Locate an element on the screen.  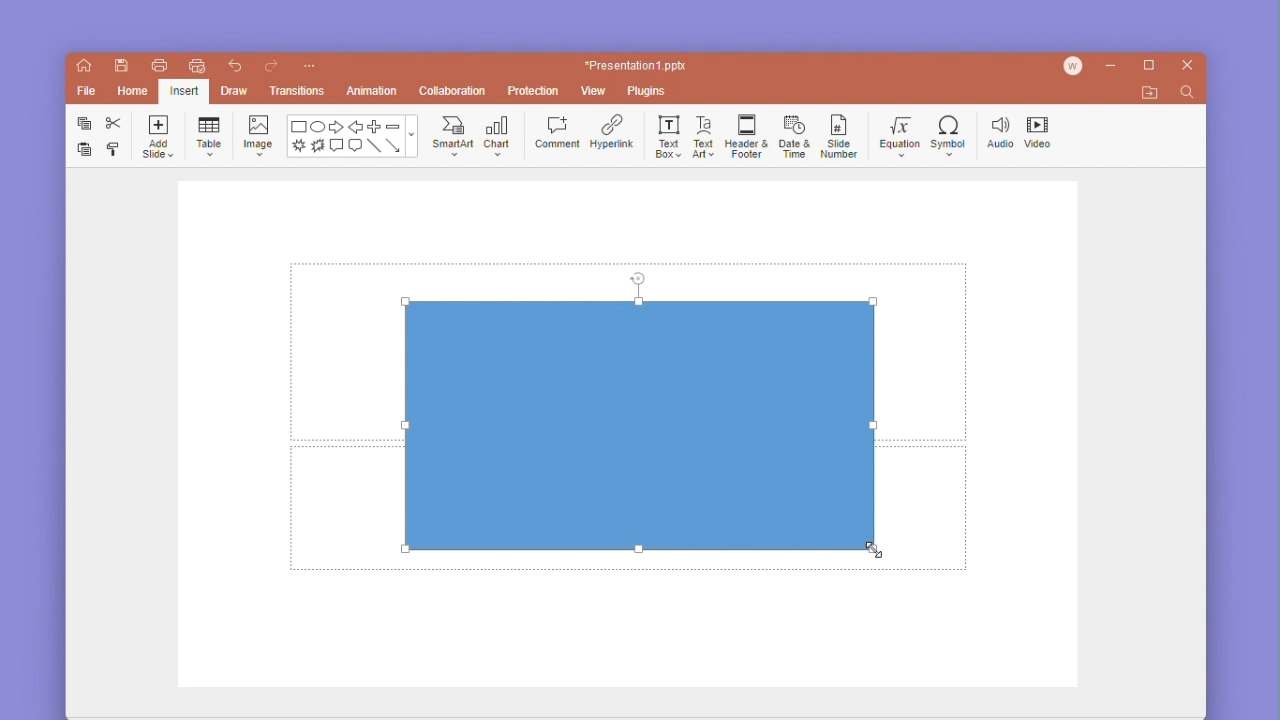
close is located at coordinates (1188, 66).